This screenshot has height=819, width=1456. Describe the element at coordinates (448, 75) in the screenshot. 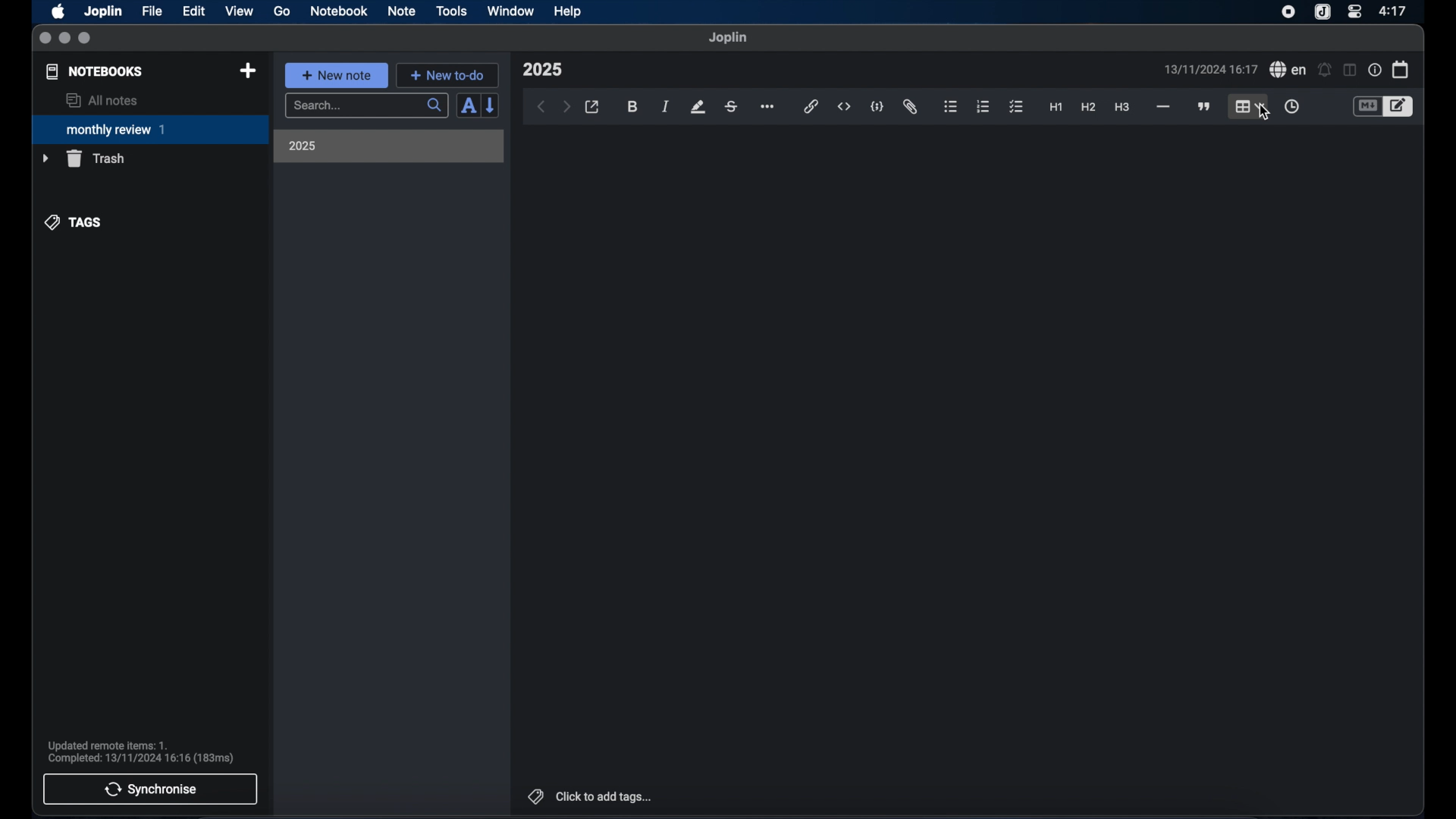

I see `new to-do` at that location.